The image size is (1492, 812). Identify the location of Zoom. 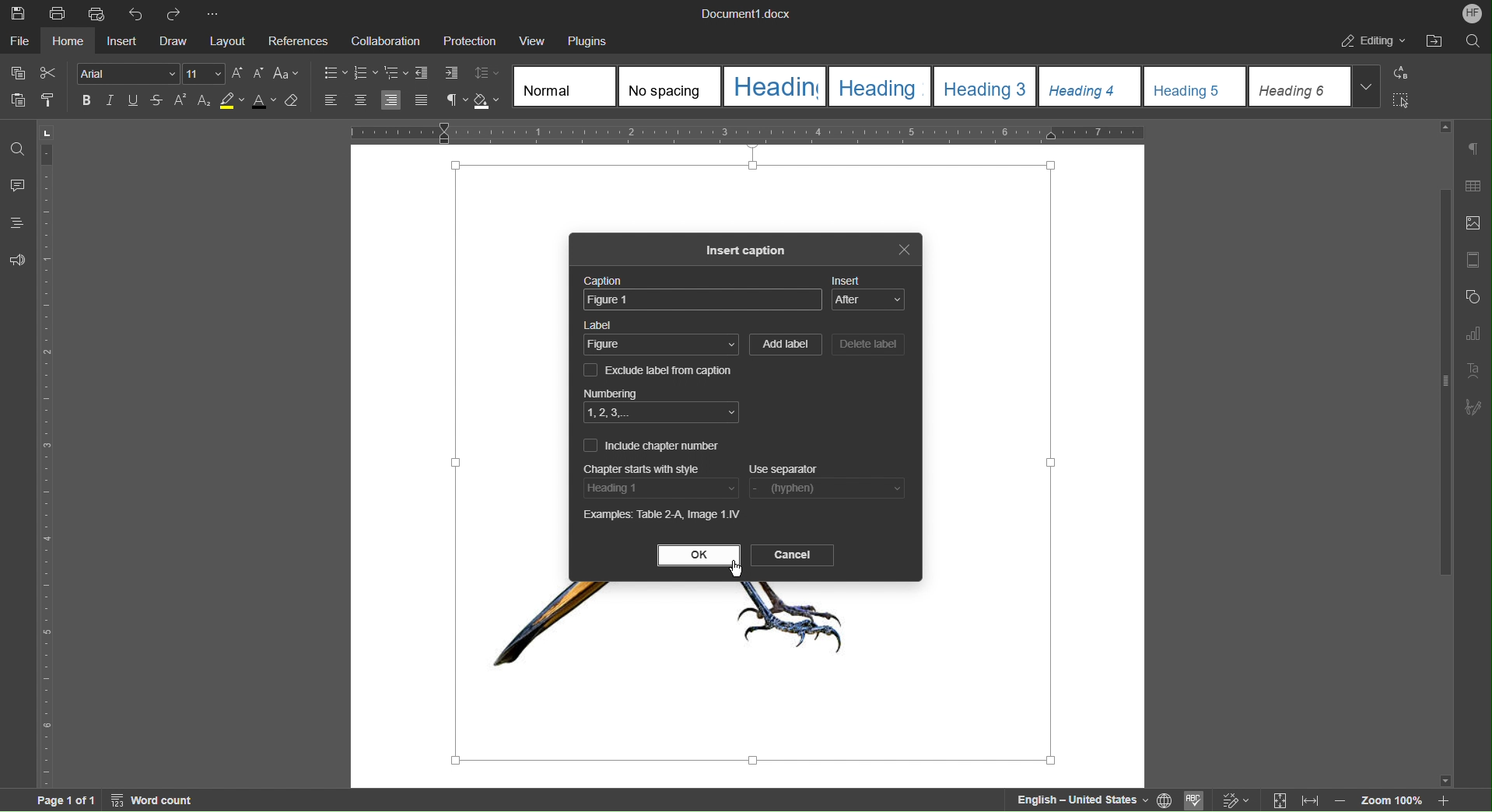
(1390, 800).